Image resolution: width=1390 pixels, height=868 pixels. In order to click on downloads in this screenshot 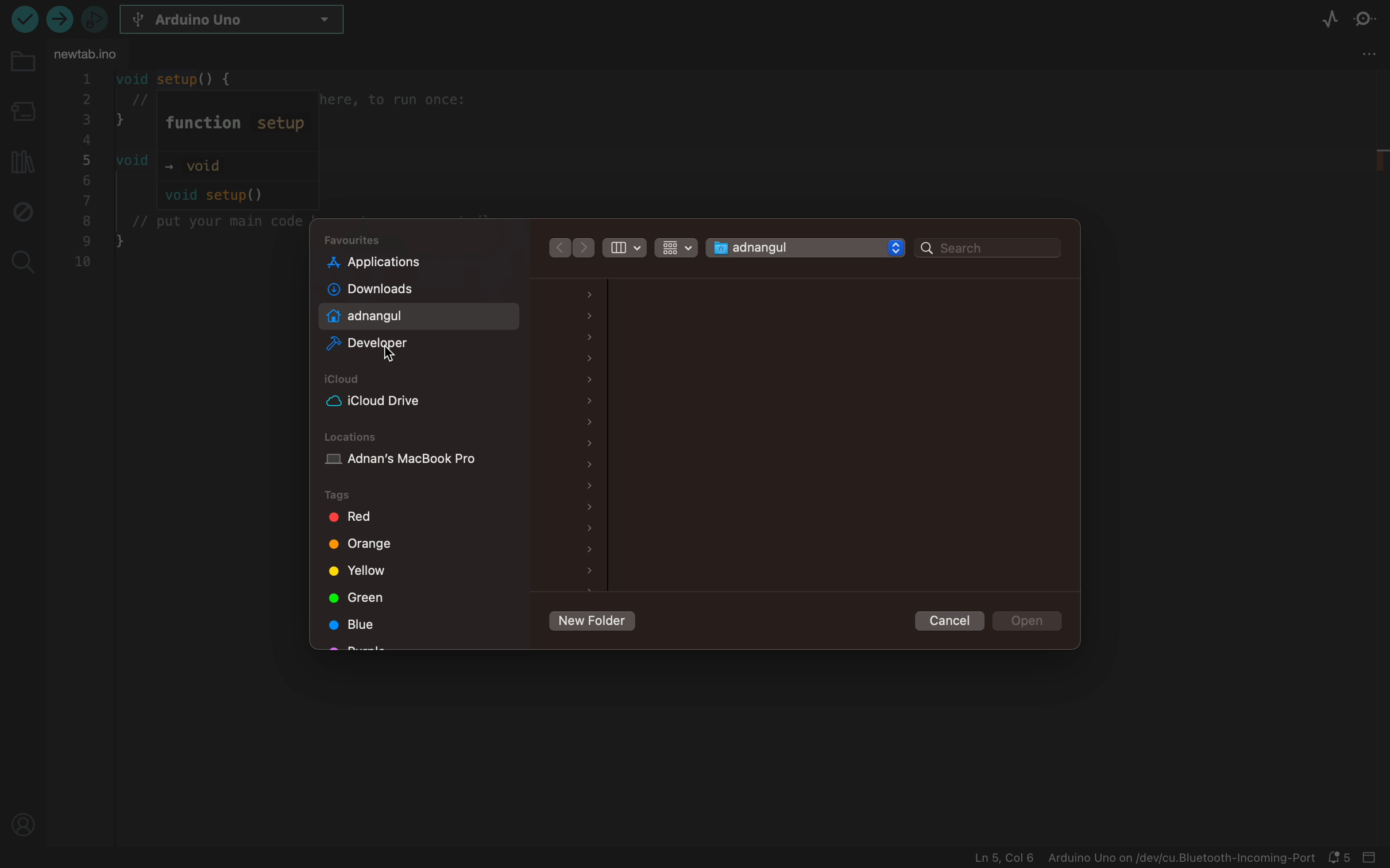, I will do `click(399, 290)`.